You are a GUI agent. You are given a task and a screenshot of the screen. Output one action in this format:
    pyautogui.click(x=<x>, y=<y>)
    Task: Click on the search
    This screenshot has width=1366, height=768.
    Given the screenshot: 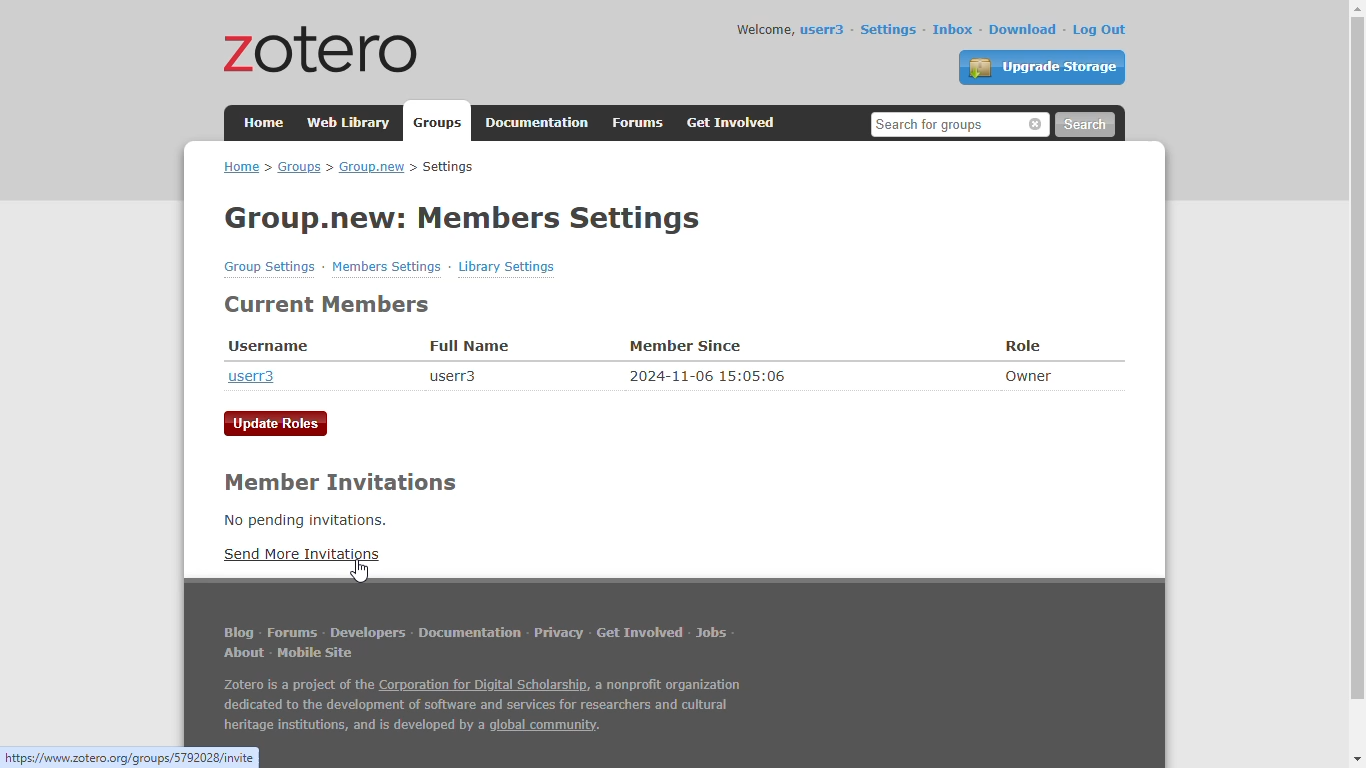 What is the action you would take?
    pyautogui.click(x=1084, y=125)
    